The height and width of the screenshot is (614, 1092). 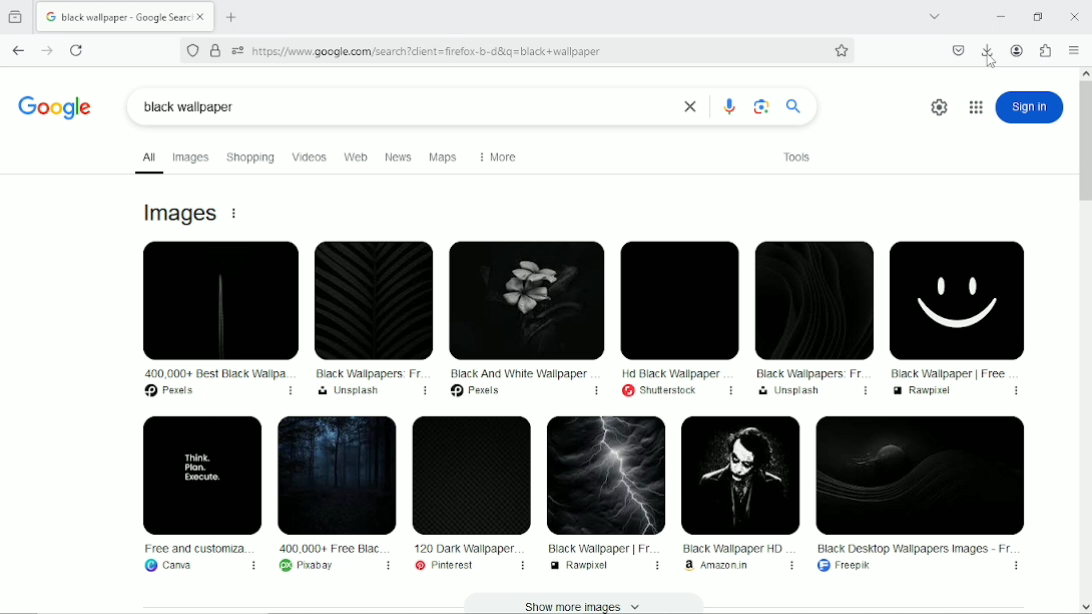 What do you see at coordinates (16, 16) in the screenshot?
I see `View recent browsing` at bounding box center [16, 16].